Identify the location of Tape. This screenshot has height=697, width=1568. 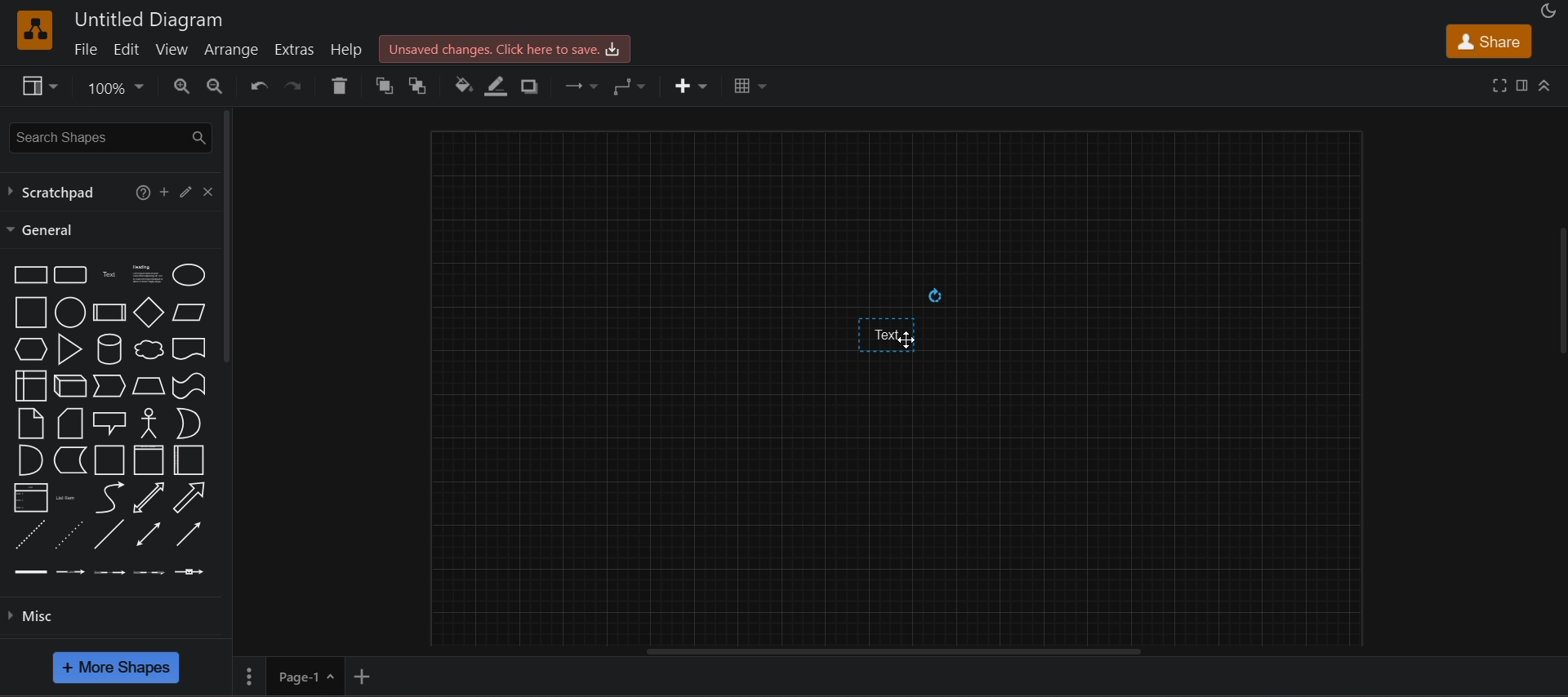
(189, 386).